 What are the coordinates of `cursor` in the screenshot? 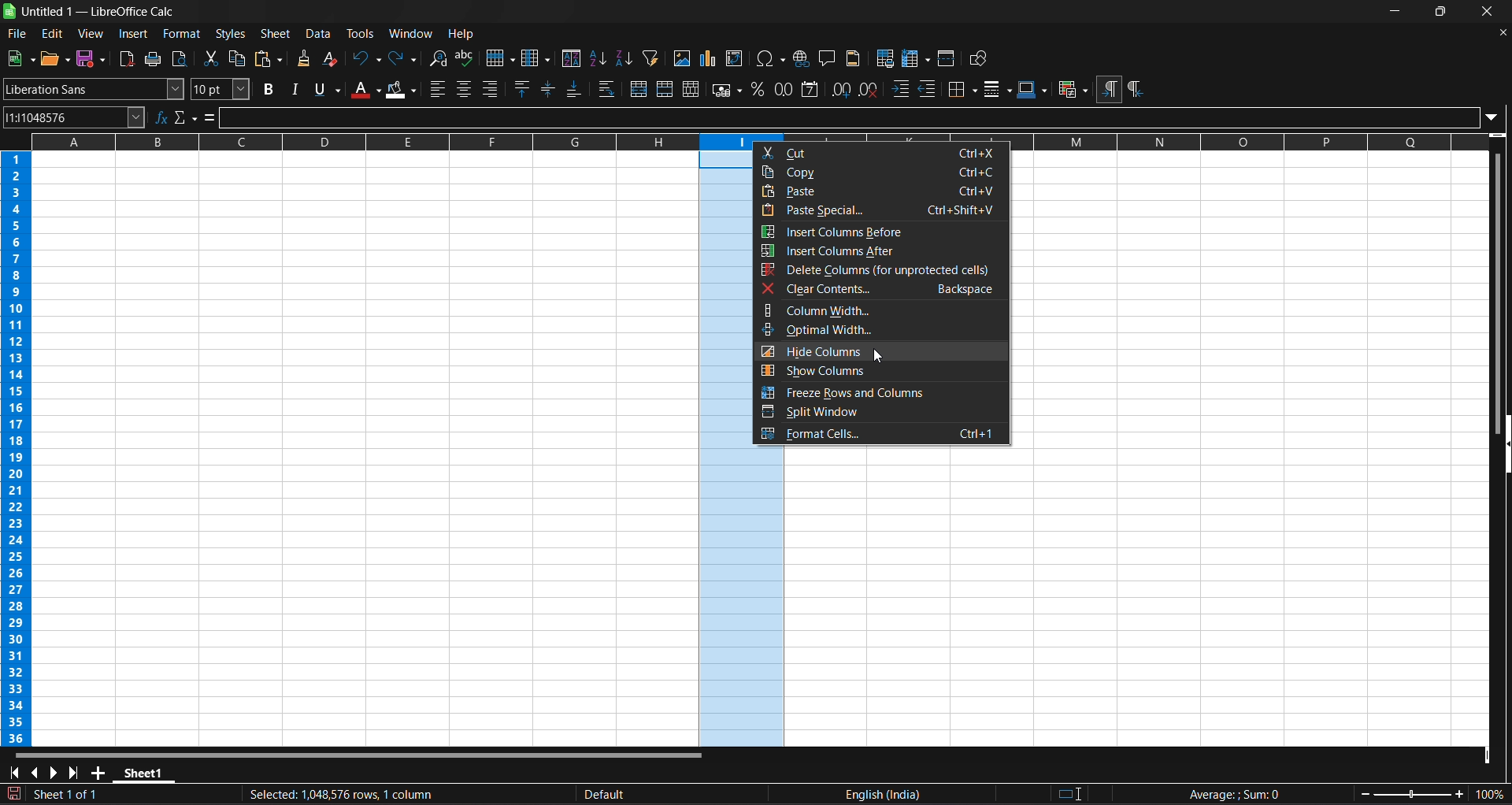 It's located at (882, 357).